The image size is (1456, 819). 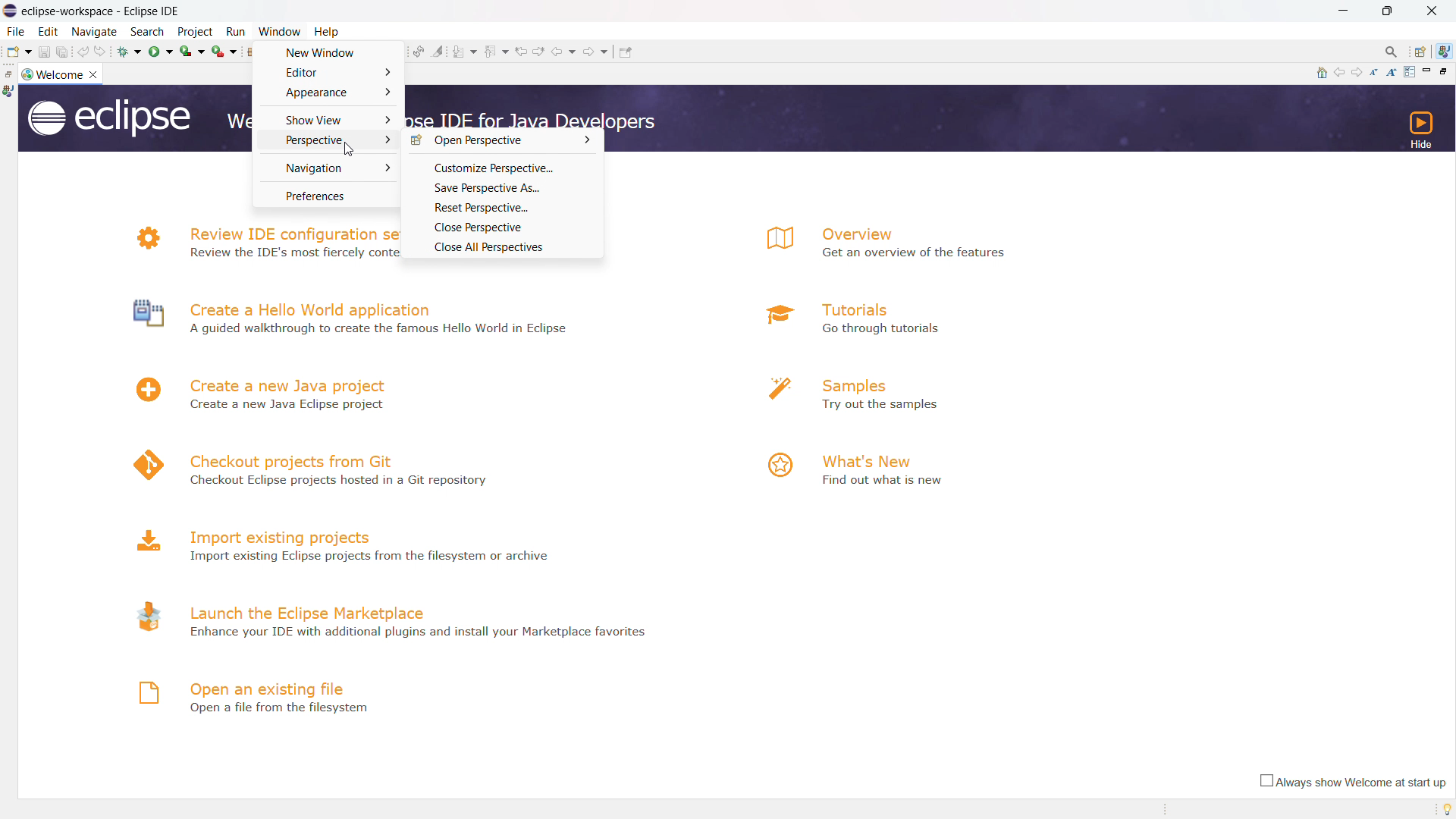 What do you see at coordinates (144, 692) in the screenshot?
I see `logo` at bounding box center [144, 692].